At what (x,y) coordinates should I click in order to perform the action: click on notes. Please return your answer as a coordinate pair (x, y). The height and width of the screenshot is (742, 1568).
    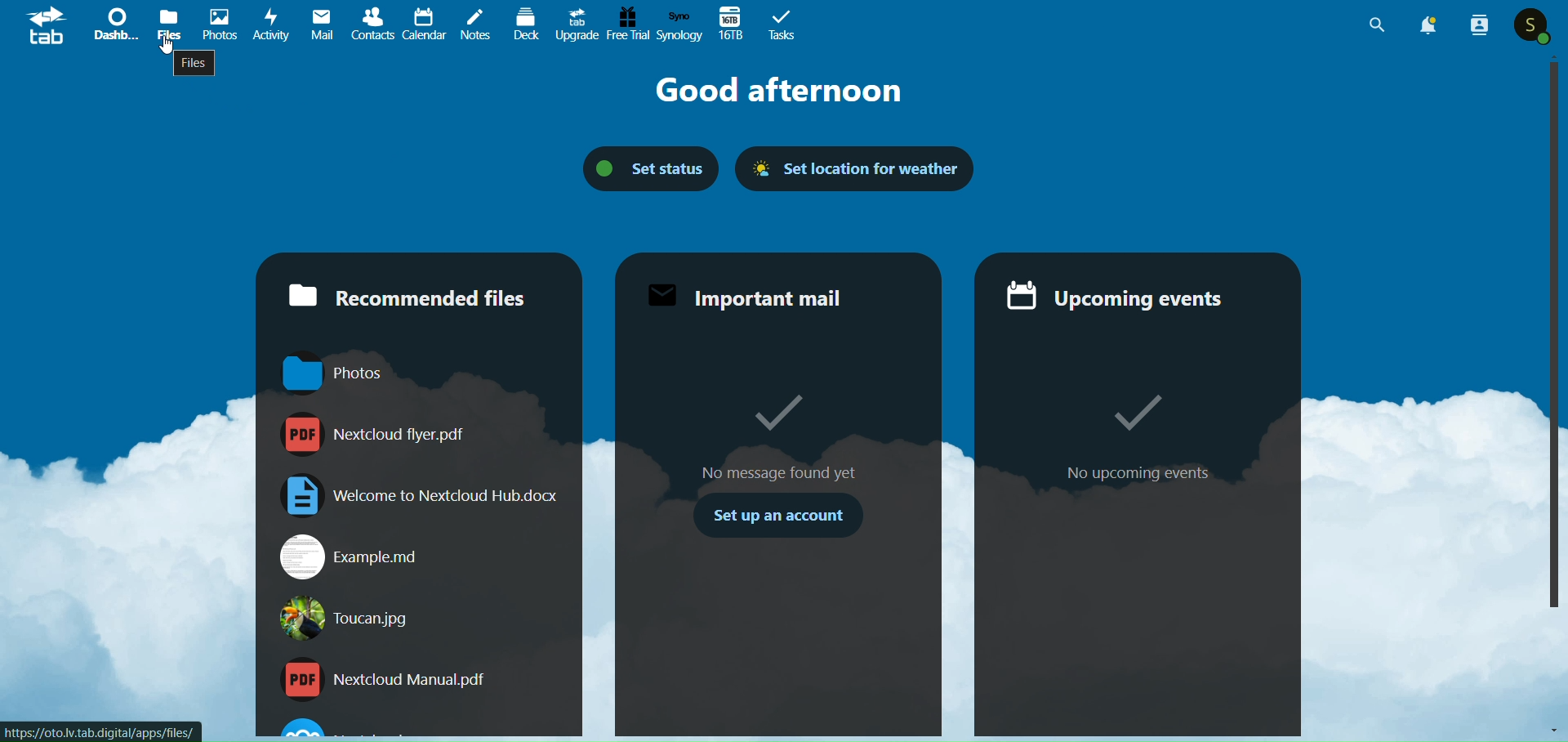
    Looking at the image, I should click on (476, 25).